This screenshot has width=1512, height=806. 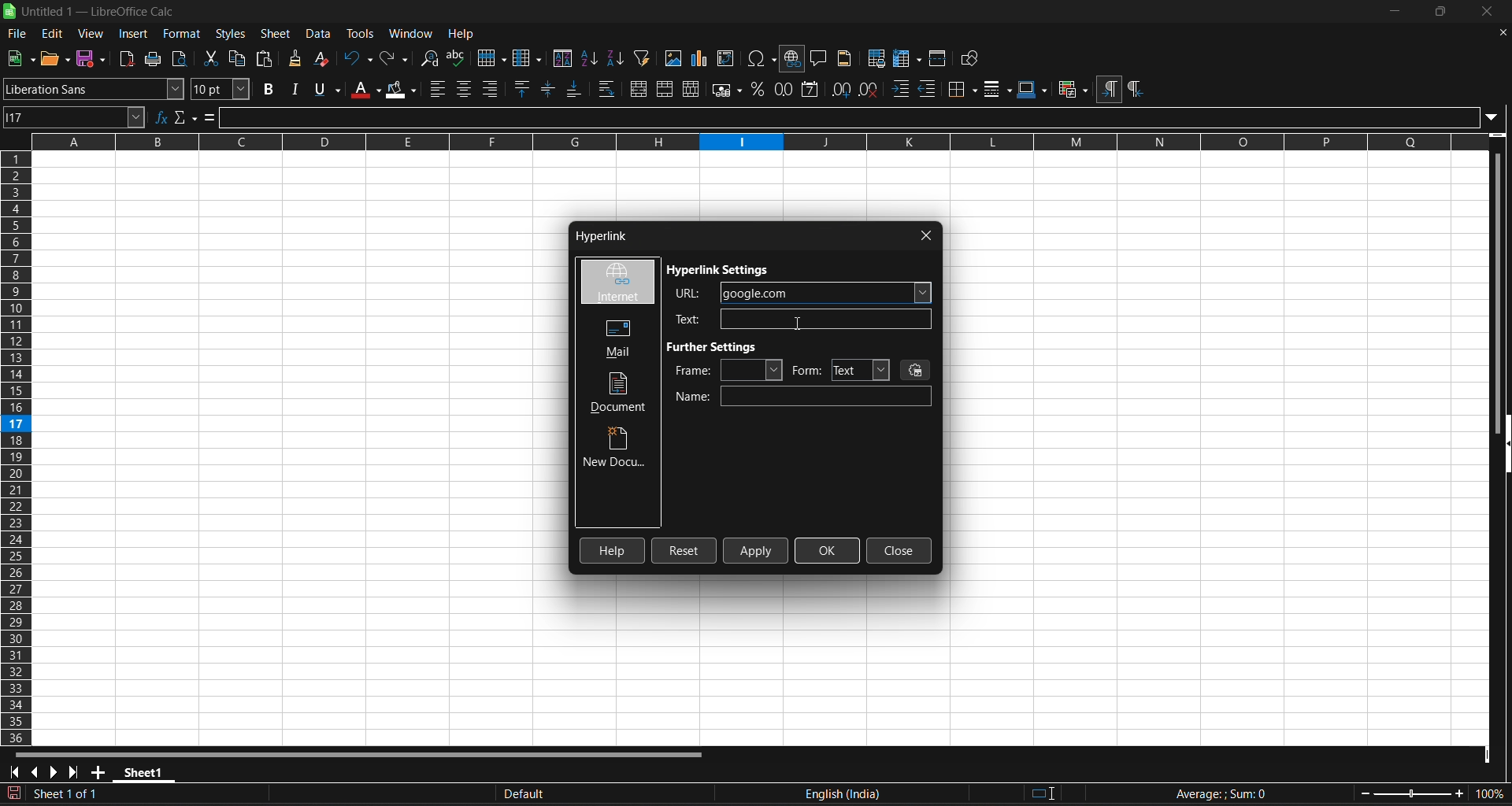 What do you see at coordinates (1396, 11) in the screenshot?
I see `minimize` at bounding box center [1396, 11].